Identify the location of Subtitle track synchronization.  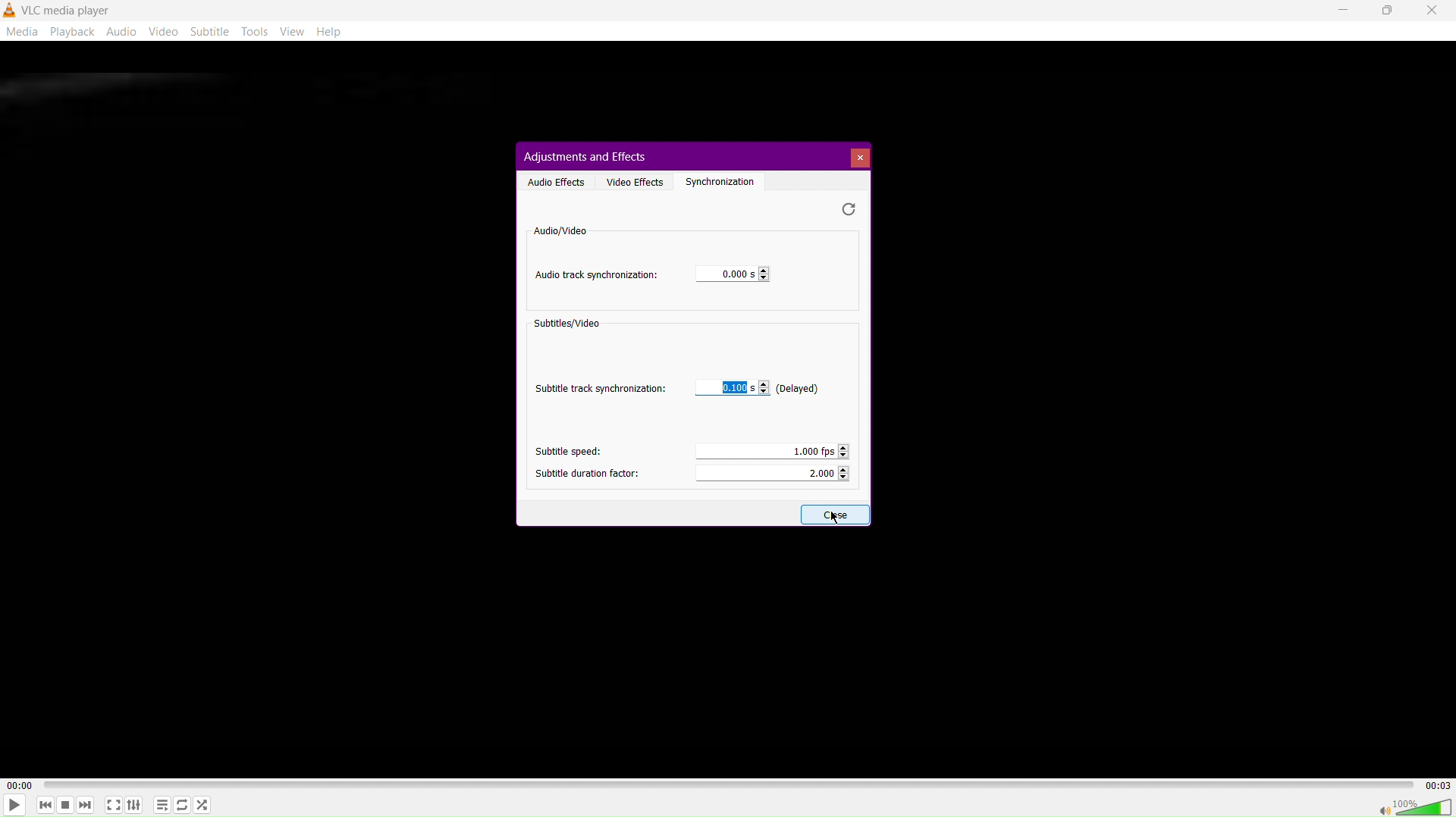
(602, 387).